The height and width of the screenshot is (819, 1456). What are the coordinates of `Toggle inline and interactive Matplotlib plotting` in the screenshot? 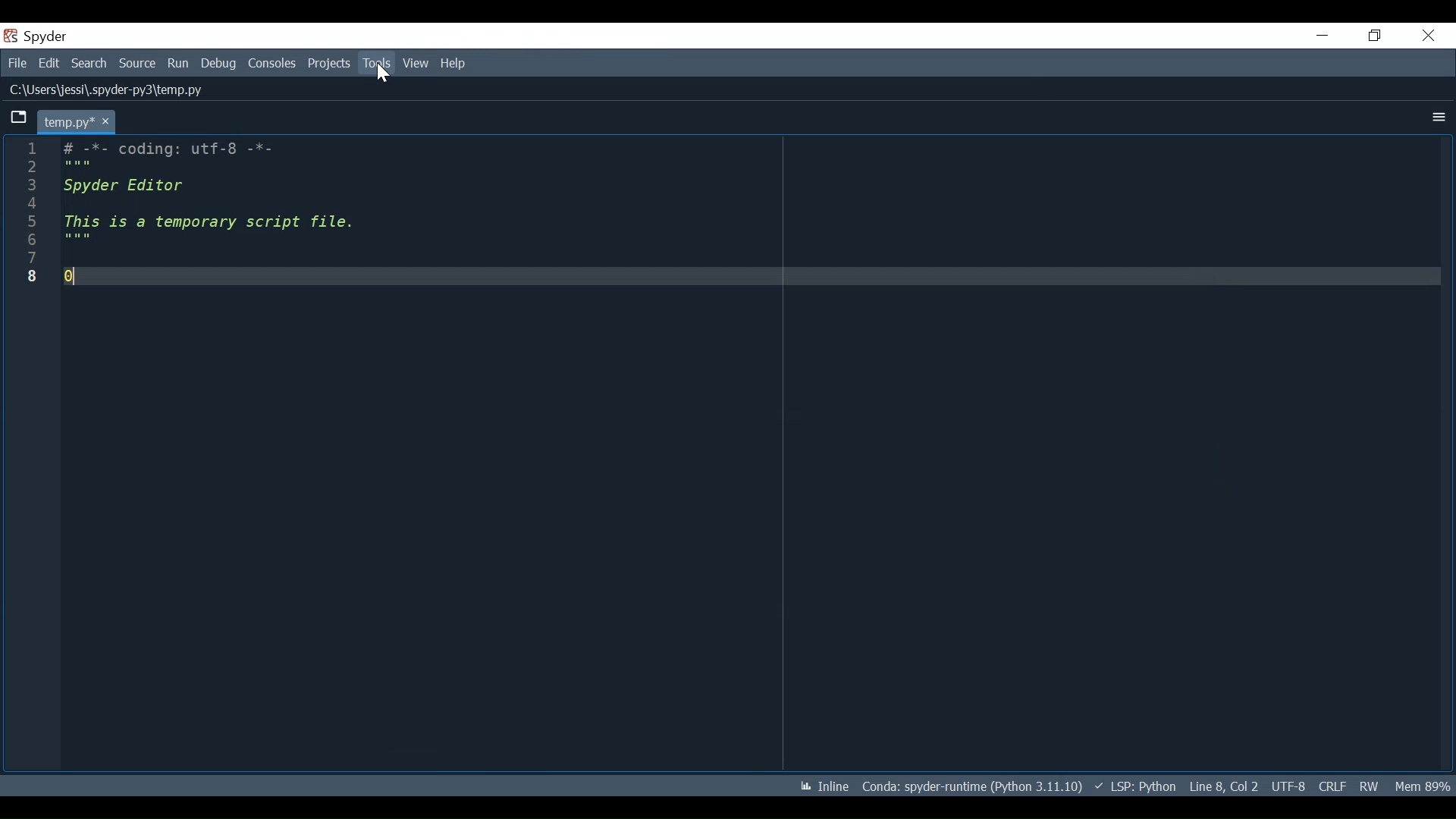 It's located at (822, 784).